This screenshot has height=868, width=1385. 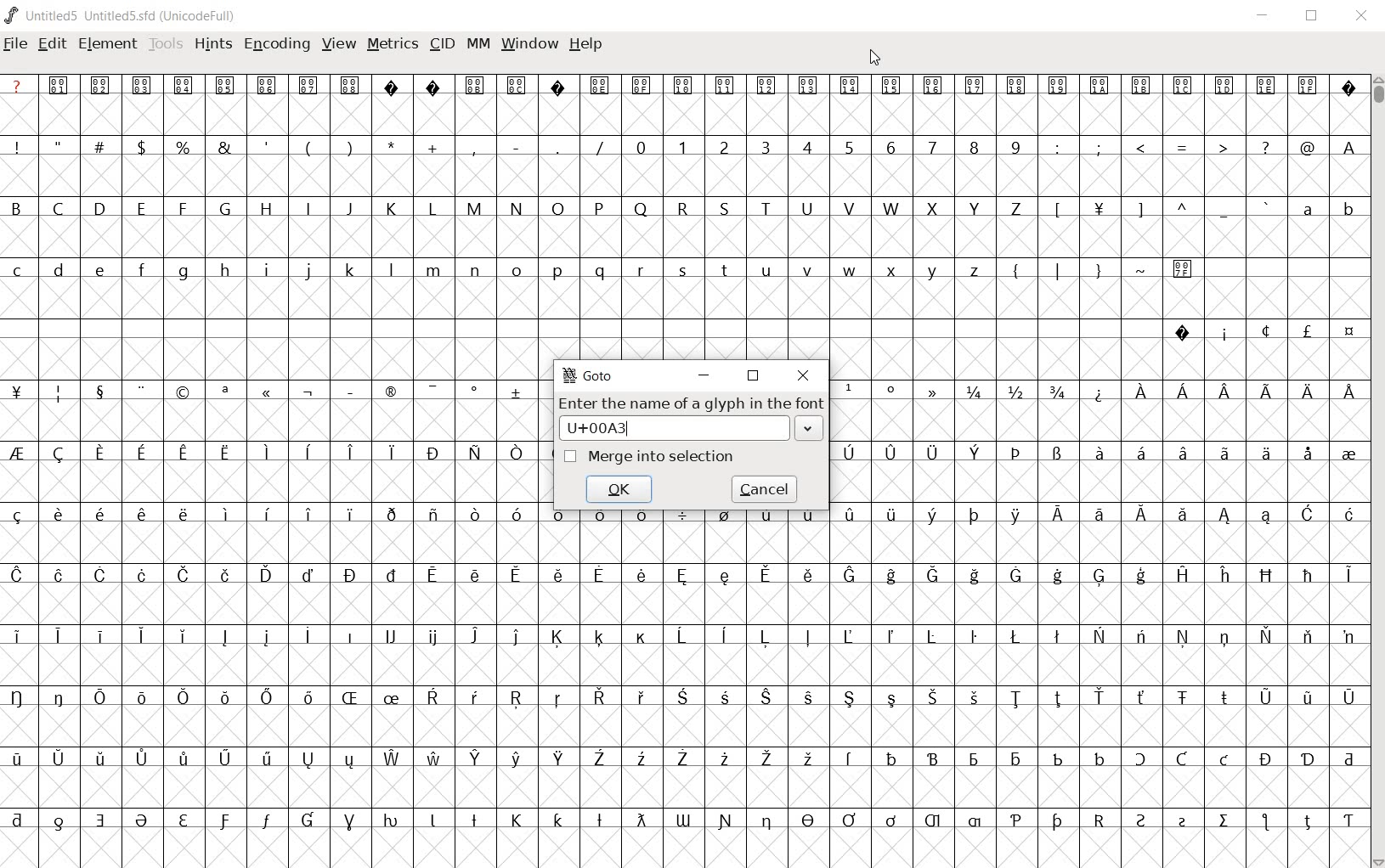 What do you see at coordinates (1141, 637) in the screenshot?
I see `Symbol` at bounding box center [1141, 637].